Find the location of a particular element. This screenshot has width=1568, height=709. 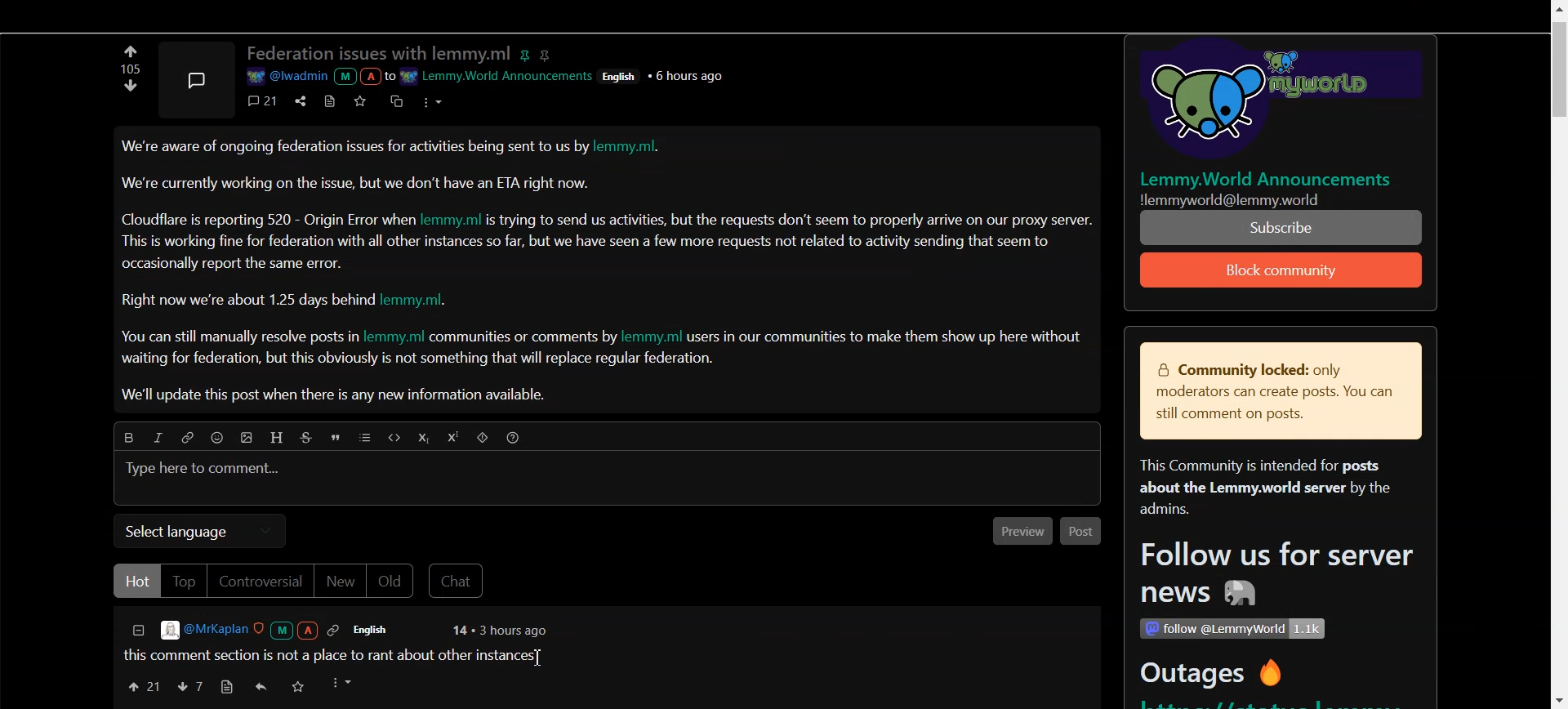

Text is located at coordinates (127, 69).